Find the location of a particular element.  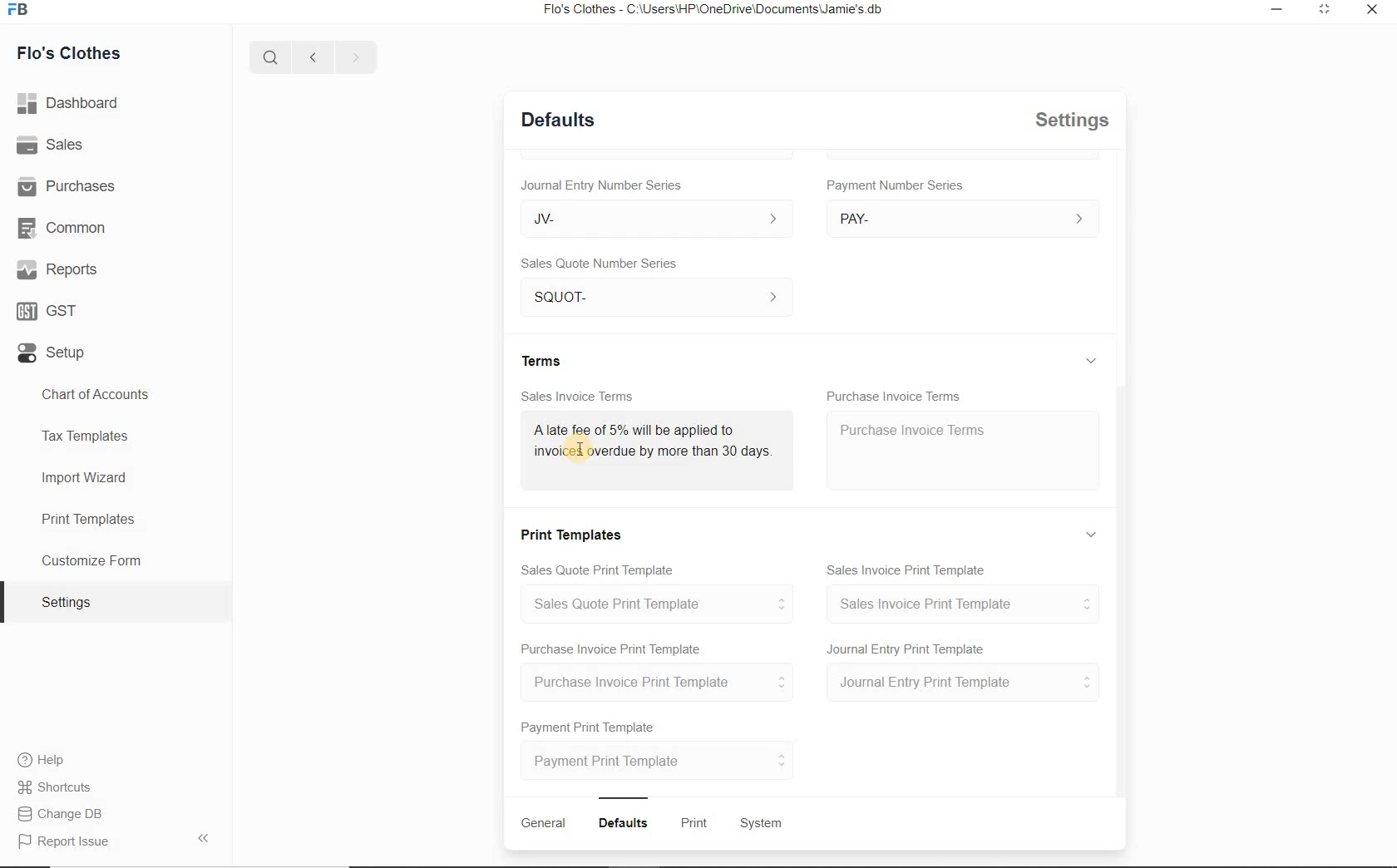

Journal Entry Print Template is located at coordinates (907, 648).